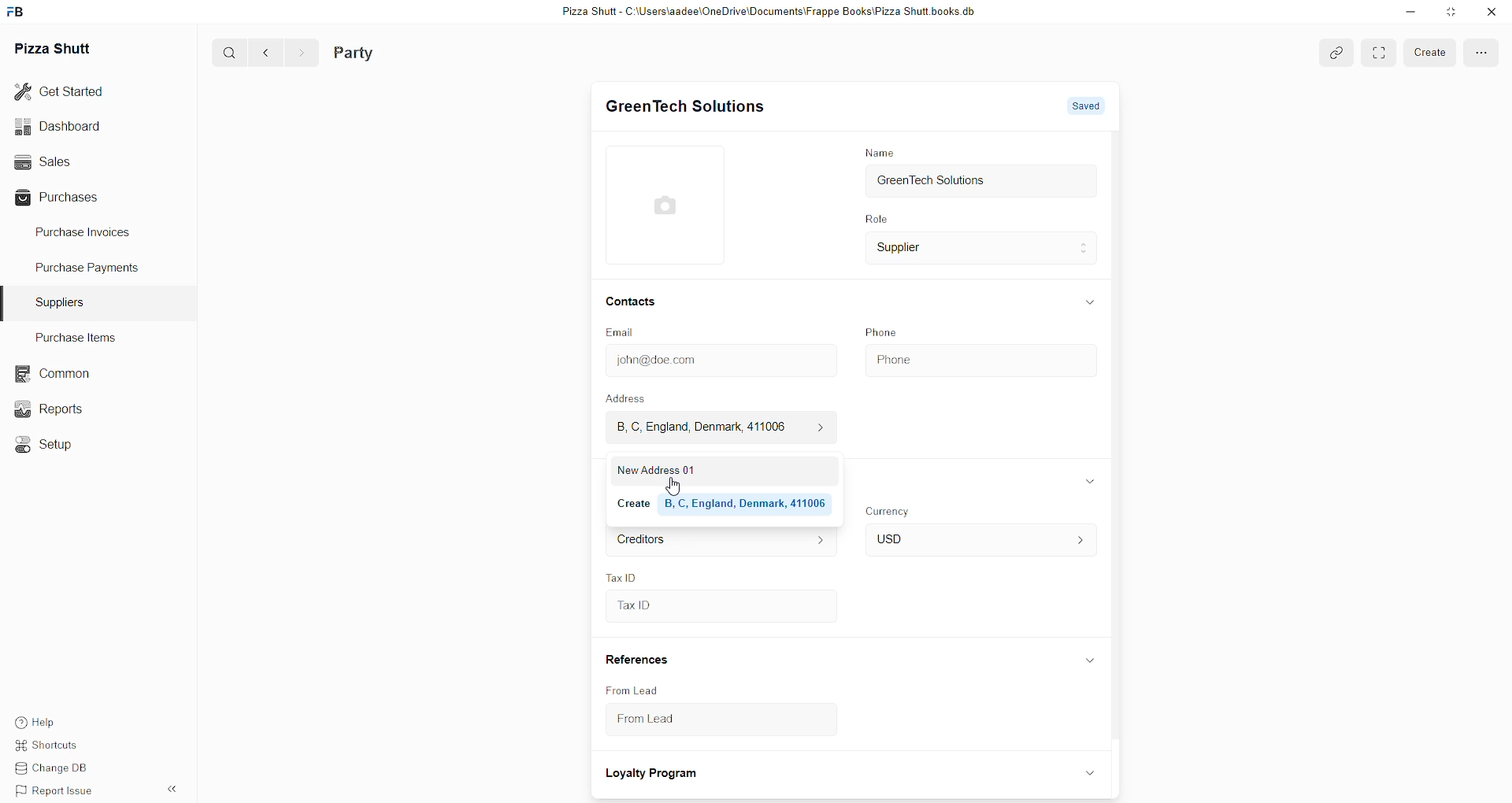 The width and height of the screenshot is (1512, 803). I want to click on Supplier, so click(982, 250).